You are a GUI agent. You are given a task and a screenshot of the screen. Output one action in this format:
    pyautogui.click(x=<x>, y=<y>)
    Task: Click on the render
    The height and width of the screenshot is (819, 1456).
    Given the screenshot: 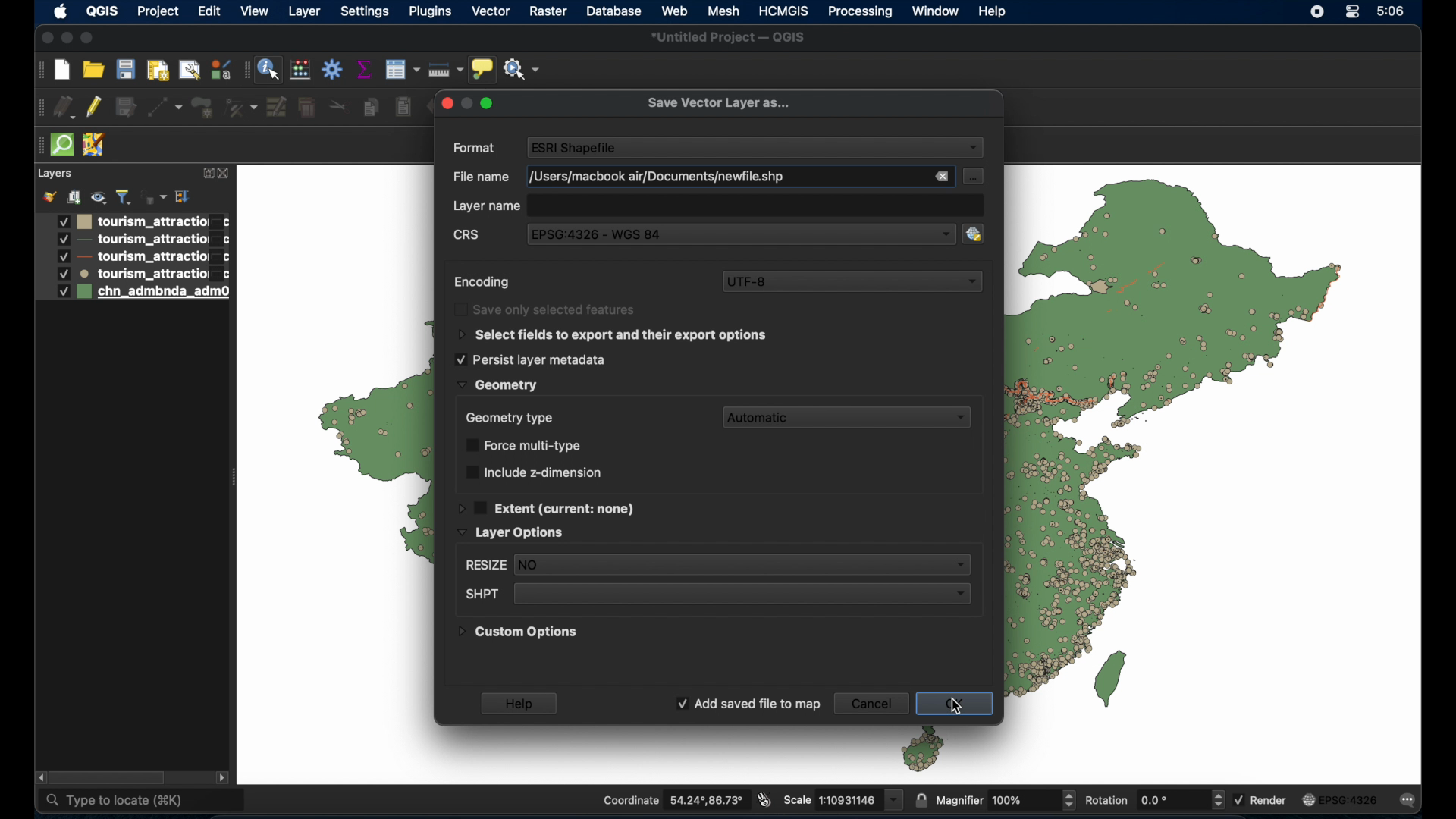 What is the action you would take?
    pyautogui.click(x=1261, y=801)
    